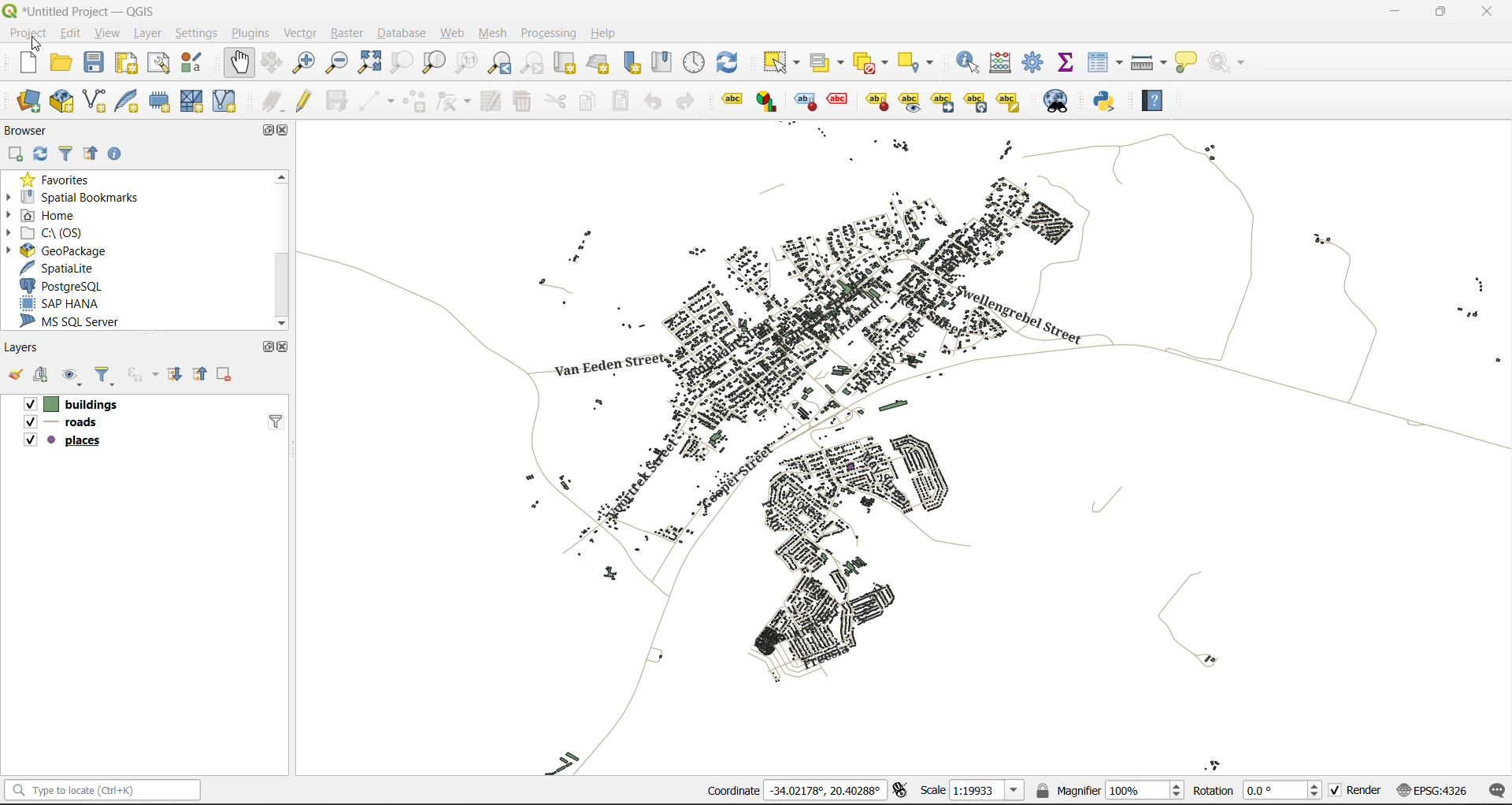 This screenshot has width=1512, height=805. I want to click on add, so click(14, 154).